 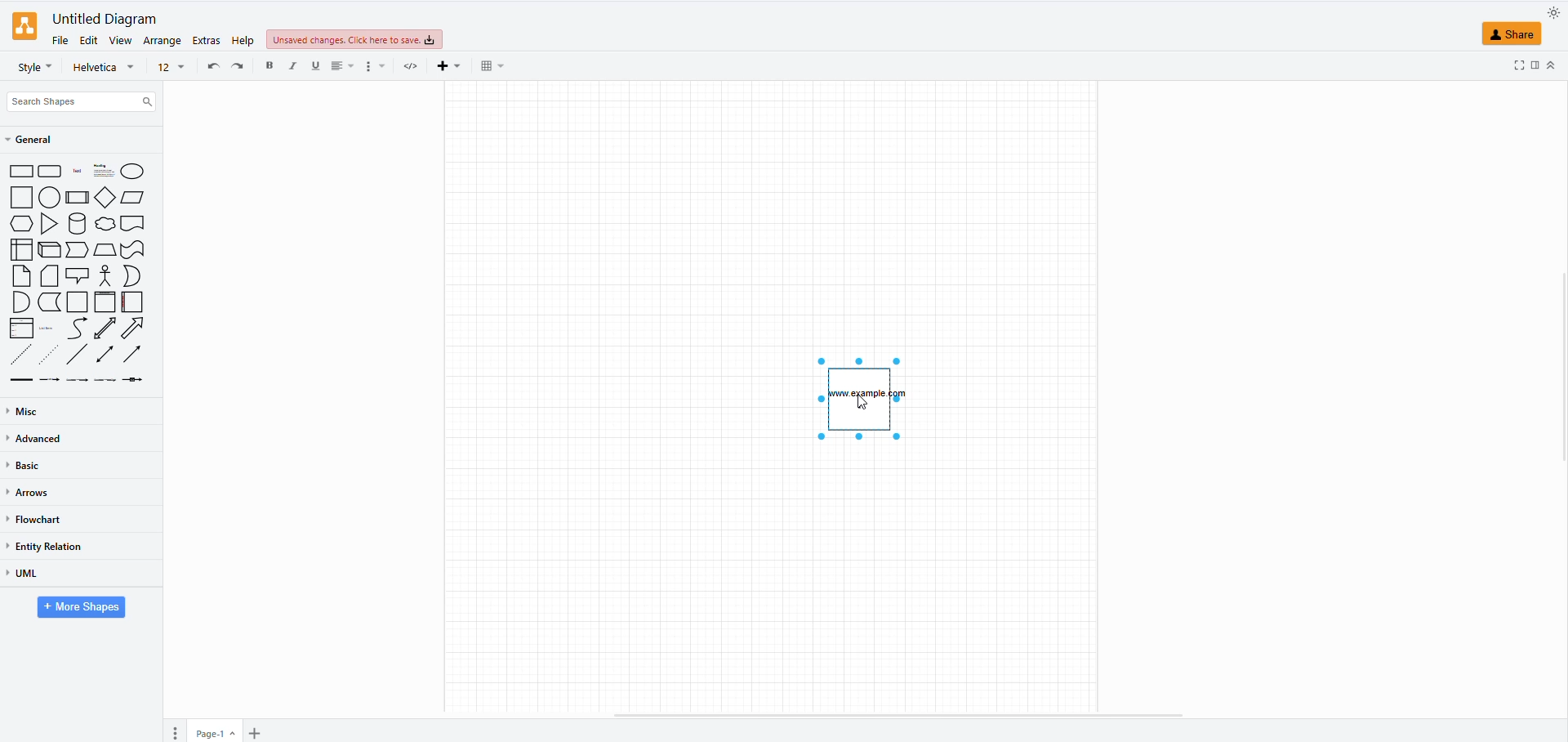 I want to click on curve, so click(x=78, y=328).